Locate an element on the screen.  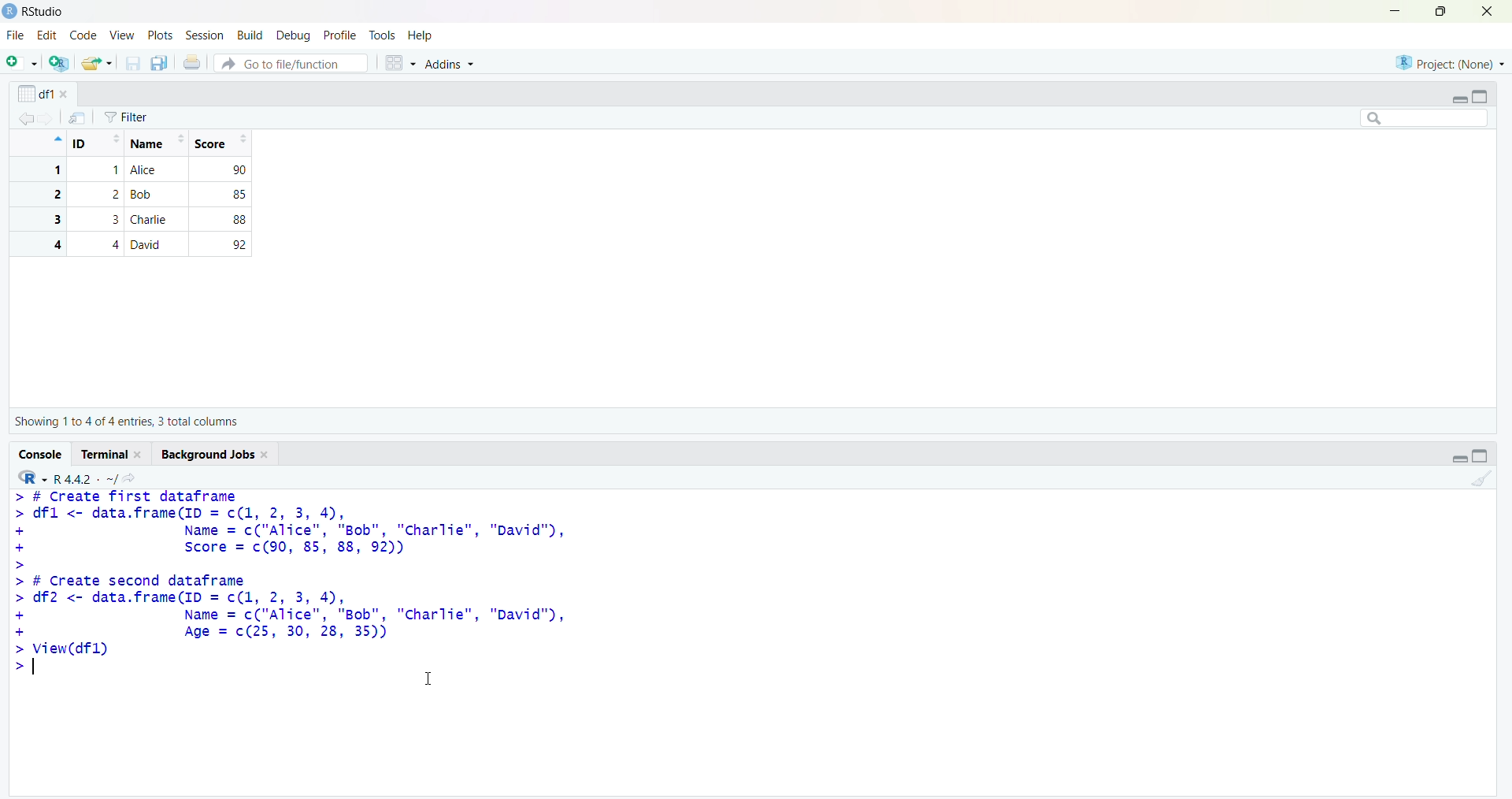
icon is located at coordinates (57, 139).